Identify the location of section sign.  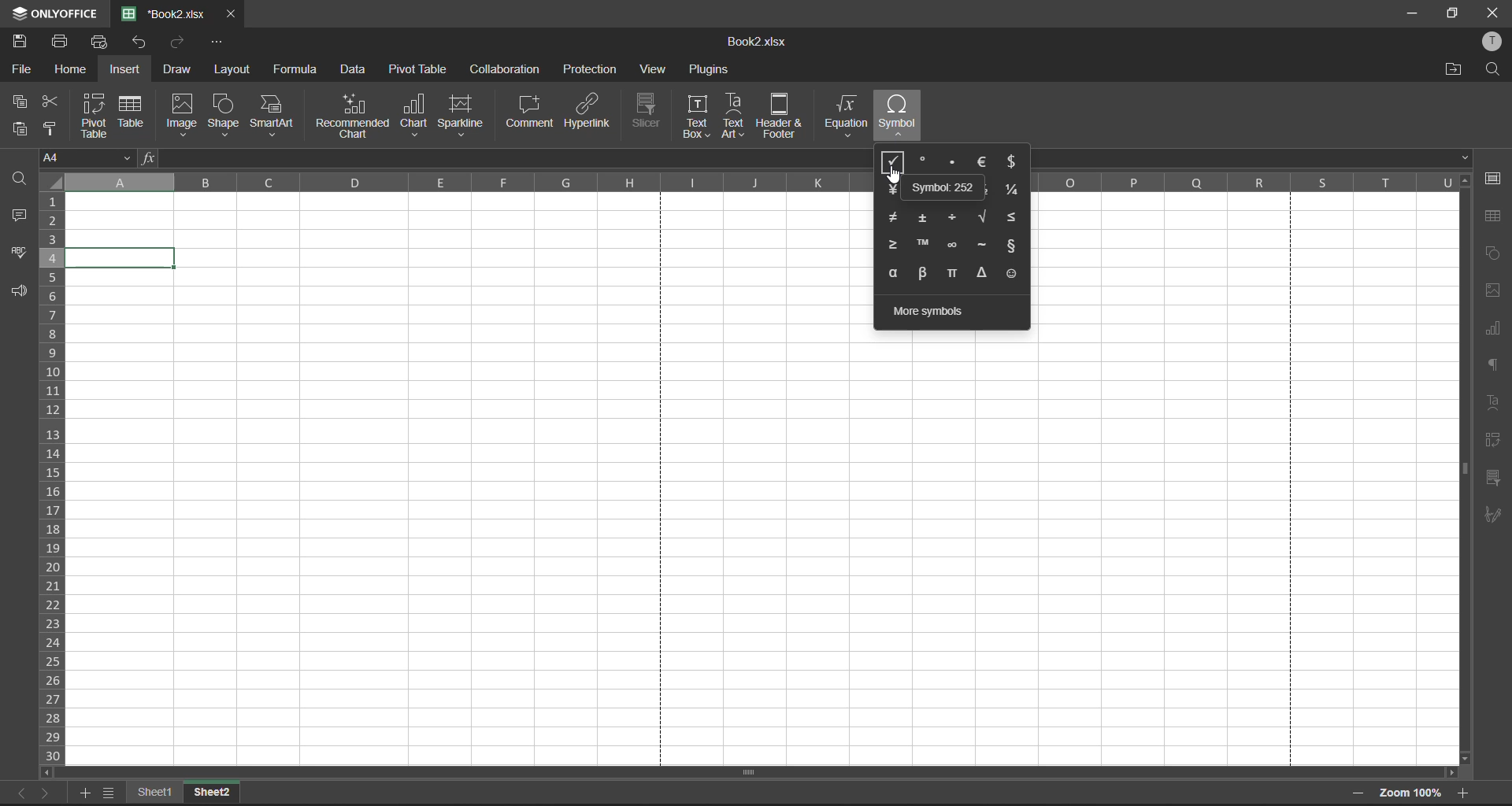
(1014, 246).